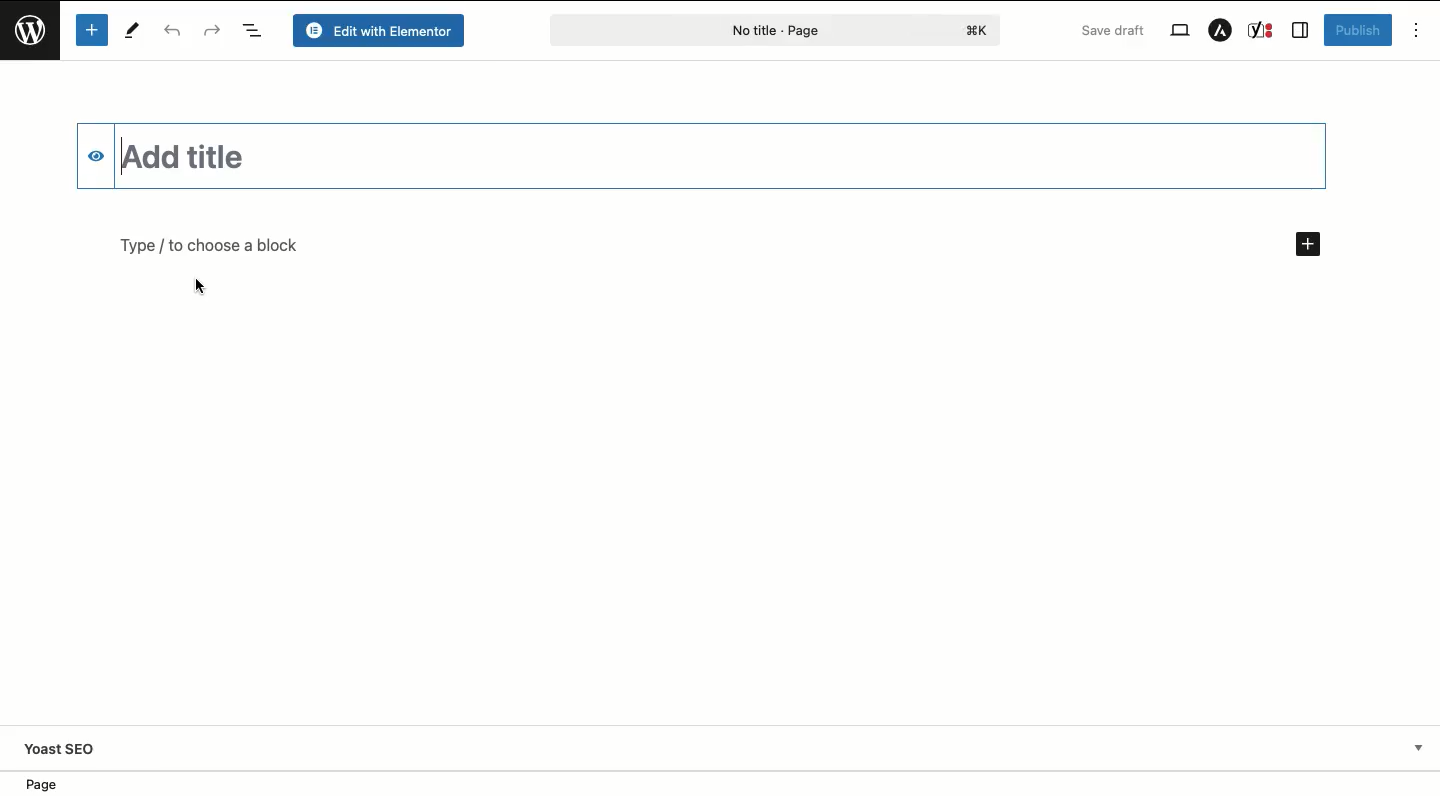 Image resolution: width=1440 pixels, height=796 pixels. I want to click on Add new block, so click(91, 31).